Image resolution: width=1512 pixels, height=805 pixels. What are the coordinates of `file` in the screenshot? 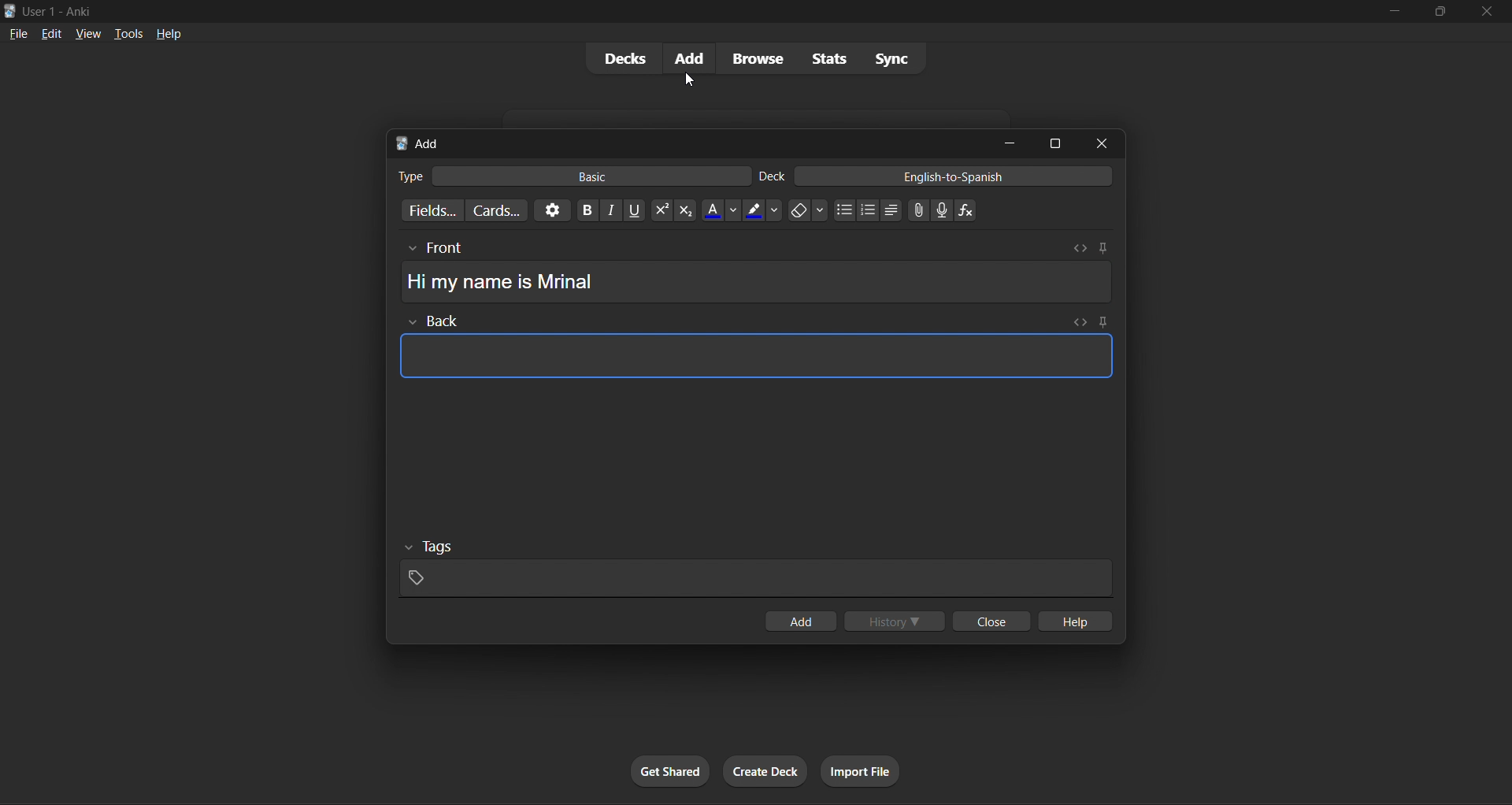 It's located at (17, 32).